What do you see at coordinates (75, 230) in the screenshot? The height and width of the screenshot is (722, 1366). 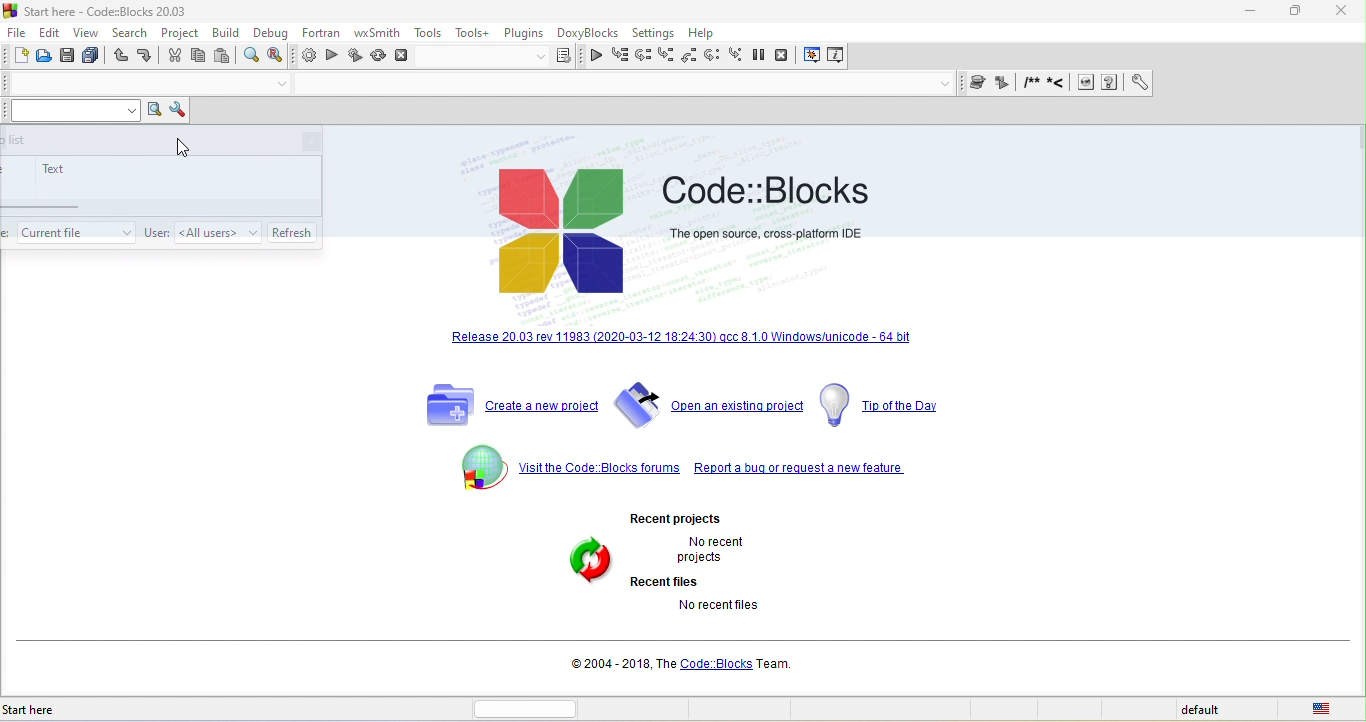 I see `todo list` at bounding box center [75, 230].